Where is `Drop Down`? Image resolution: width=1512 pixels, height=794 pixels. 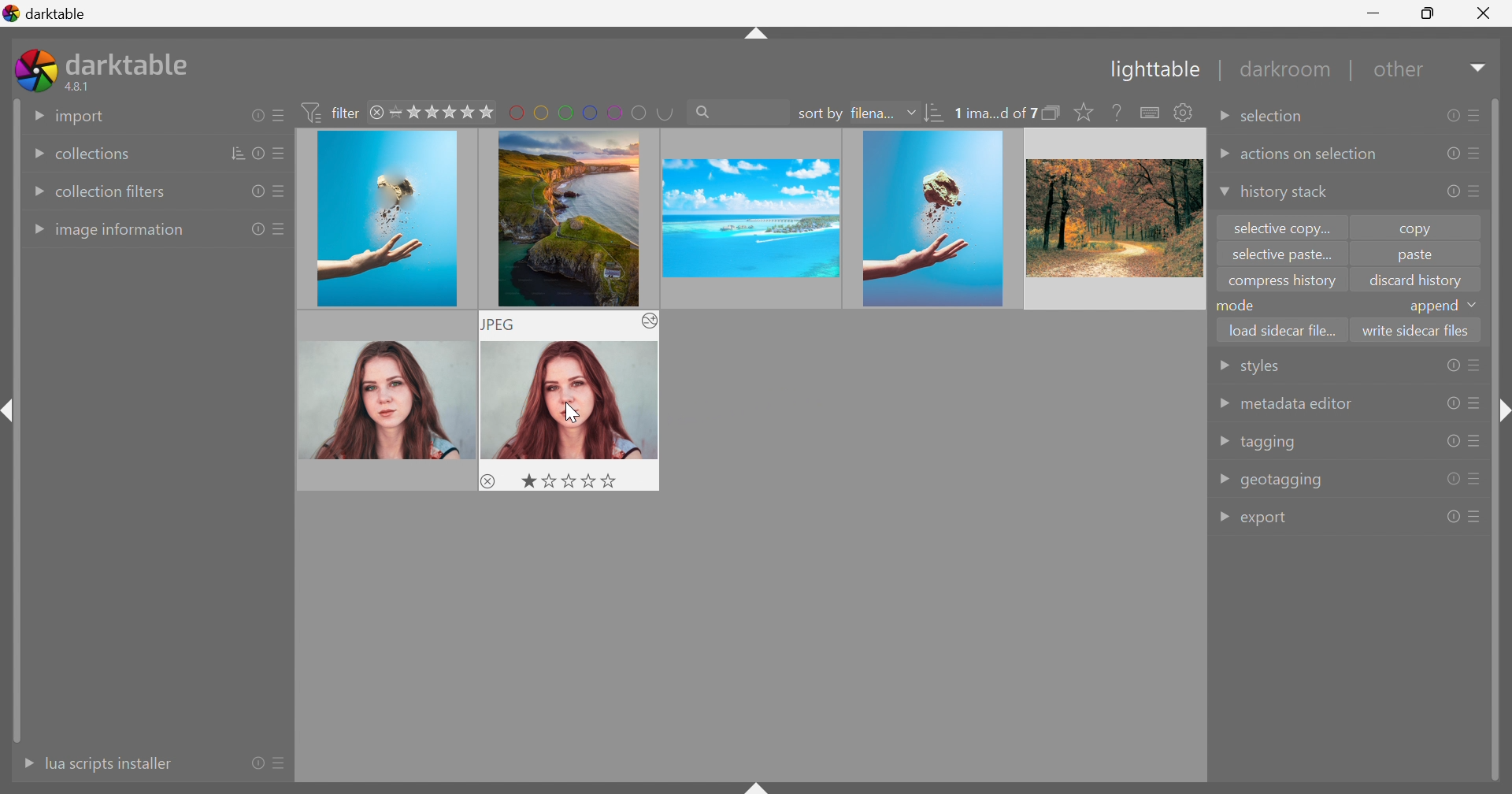 Drop Down is located at coordinates (31, 155).